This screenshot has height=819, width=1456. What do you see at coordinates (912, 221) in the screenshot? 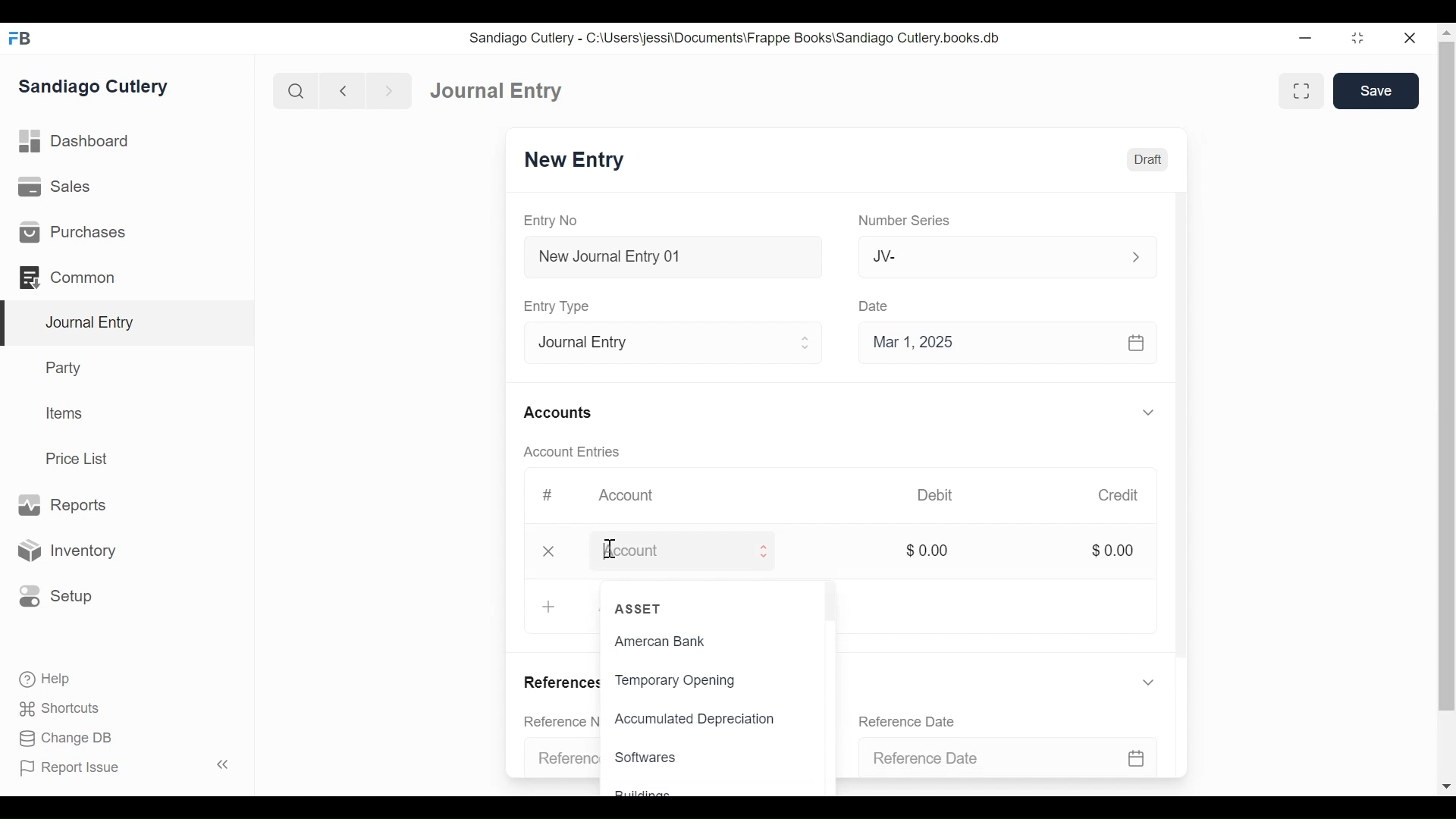
I see `Number Series` at bounding box center [912, 221].